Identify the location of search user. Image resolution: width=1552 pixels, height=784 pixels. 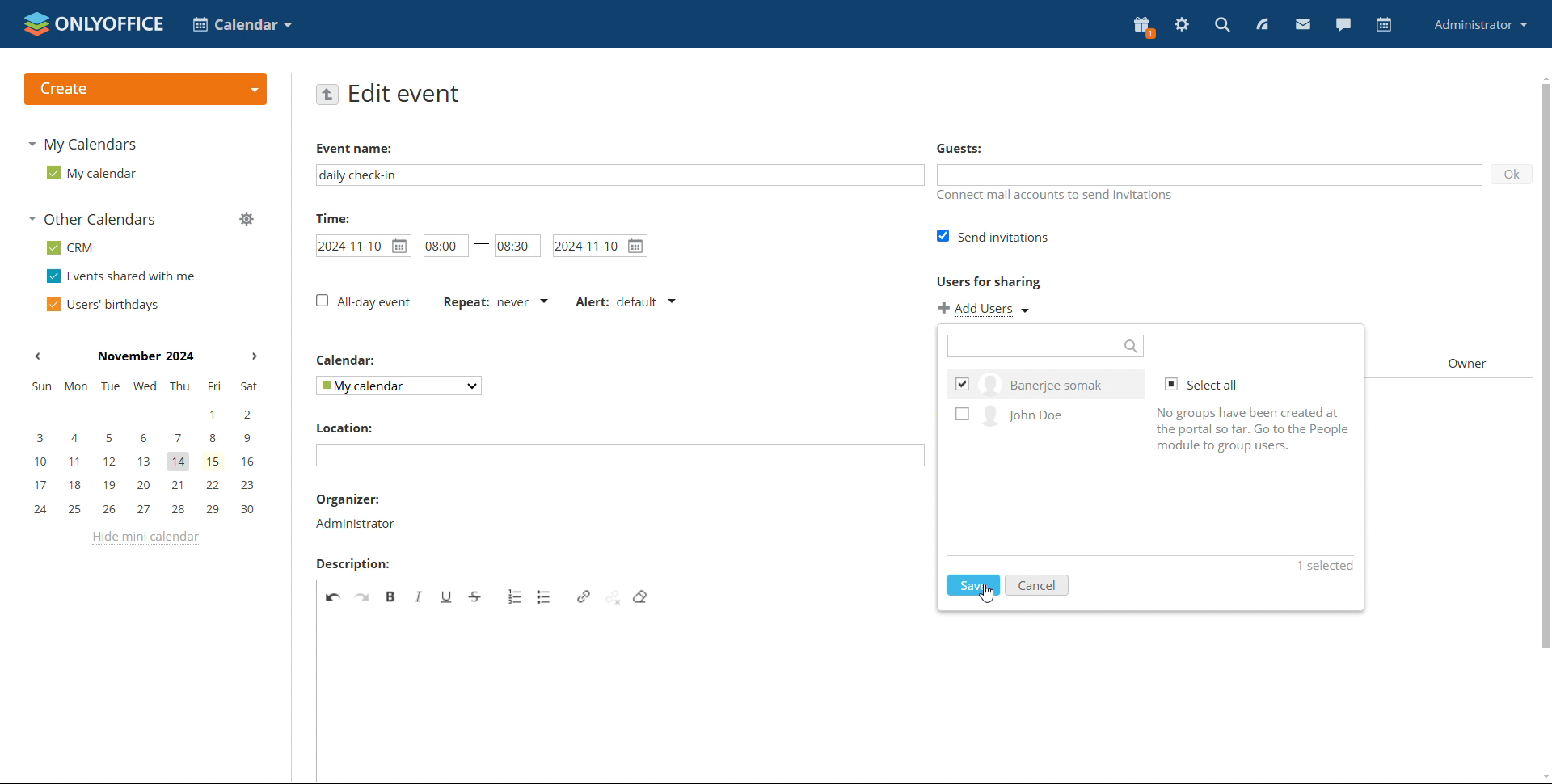
(1045, 345).